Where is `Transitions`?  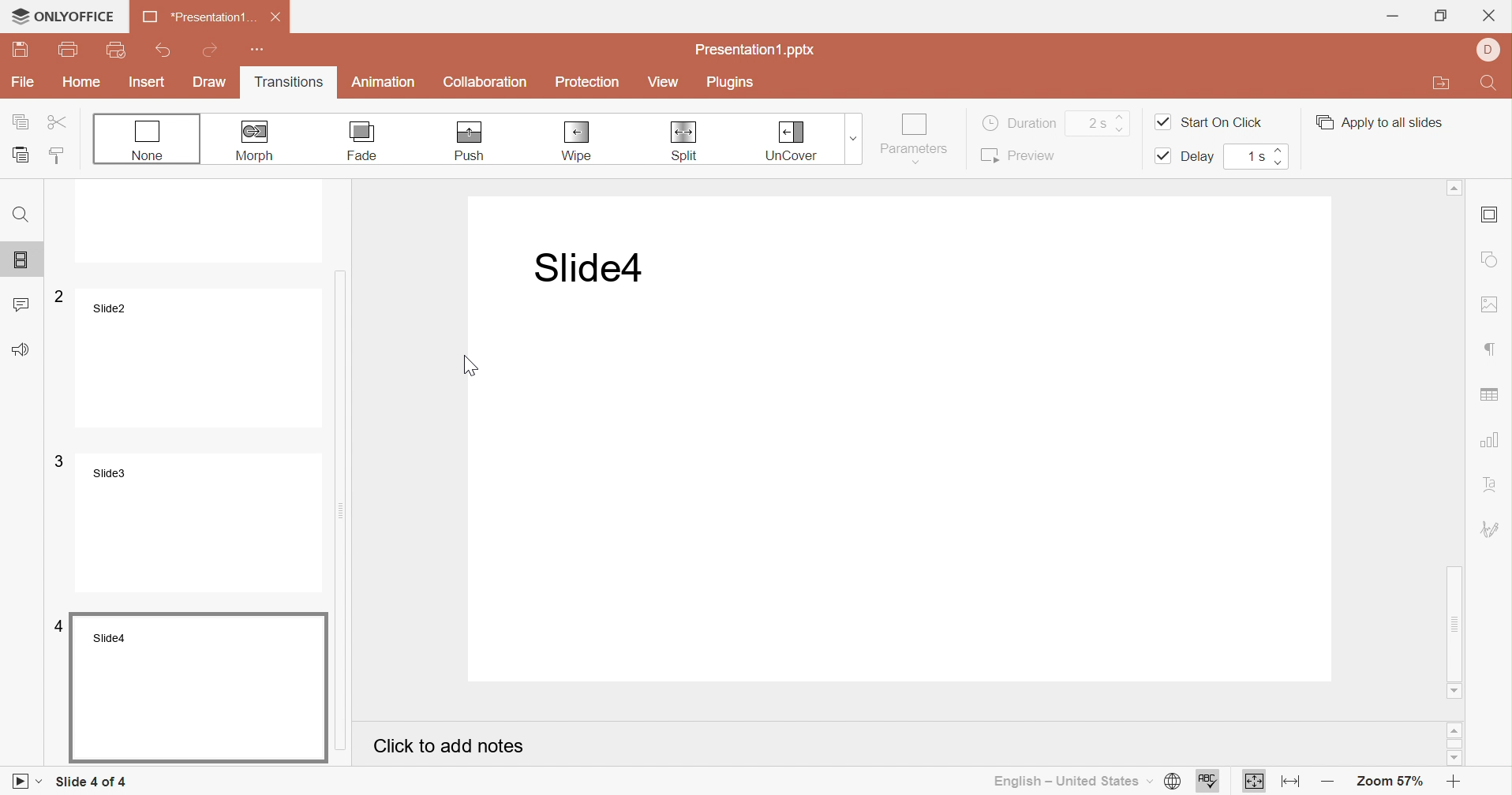 Transitions is located at coordinates (294, 84).